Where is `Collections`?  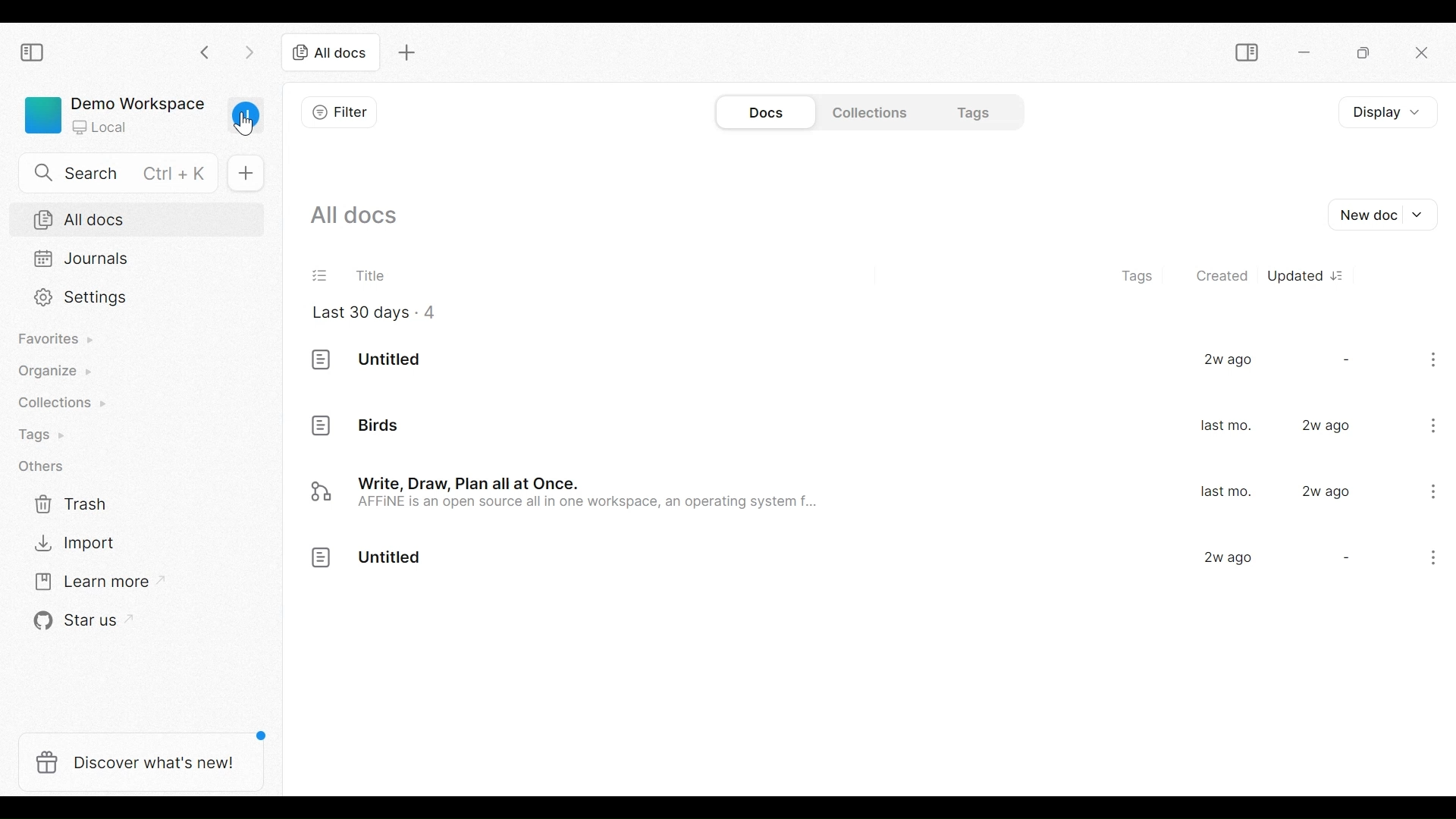 Collections is located at coordinates (867, 112).